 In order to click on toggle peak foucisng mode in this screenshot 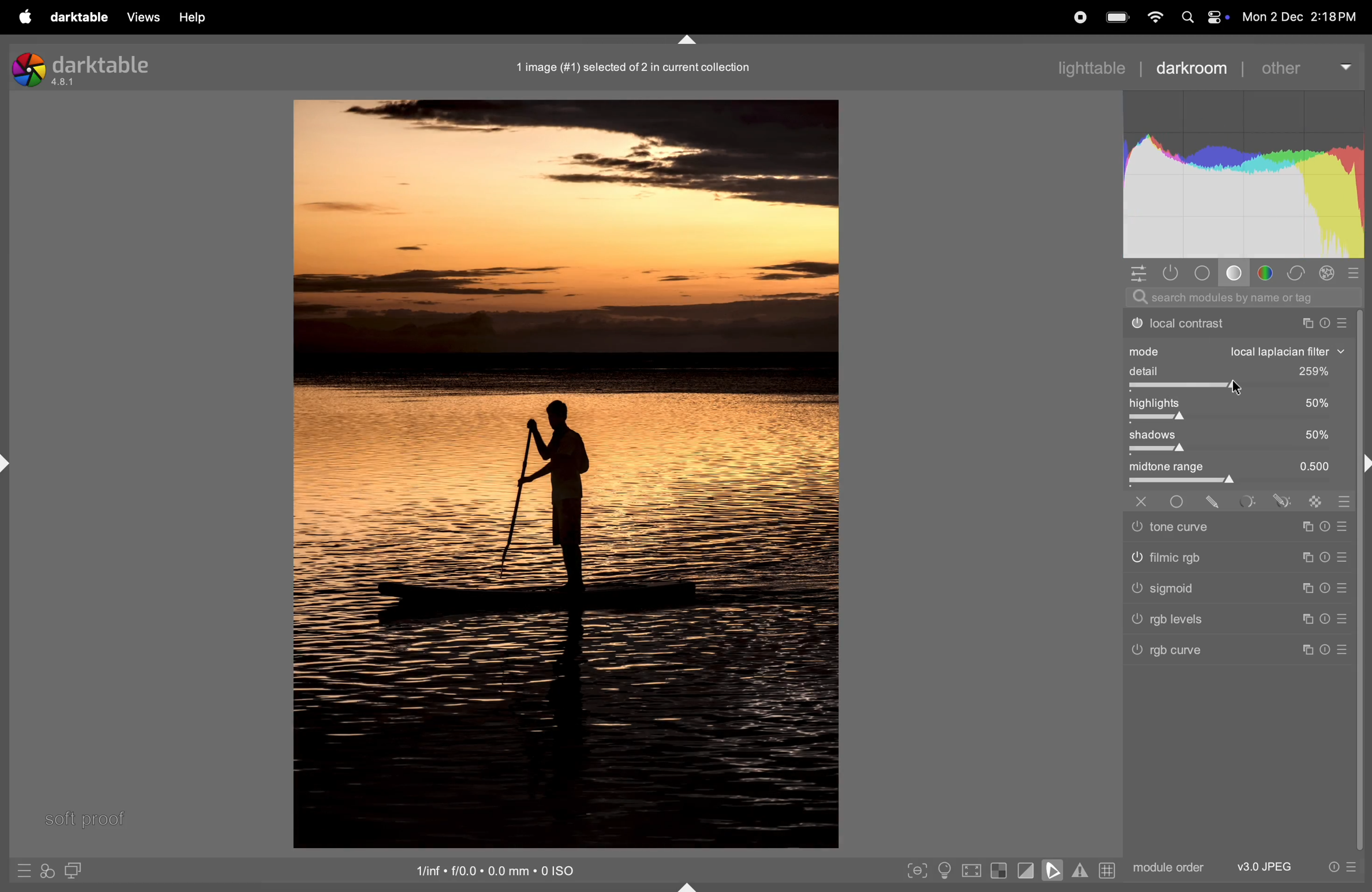, I will do `click(916, 870)`.